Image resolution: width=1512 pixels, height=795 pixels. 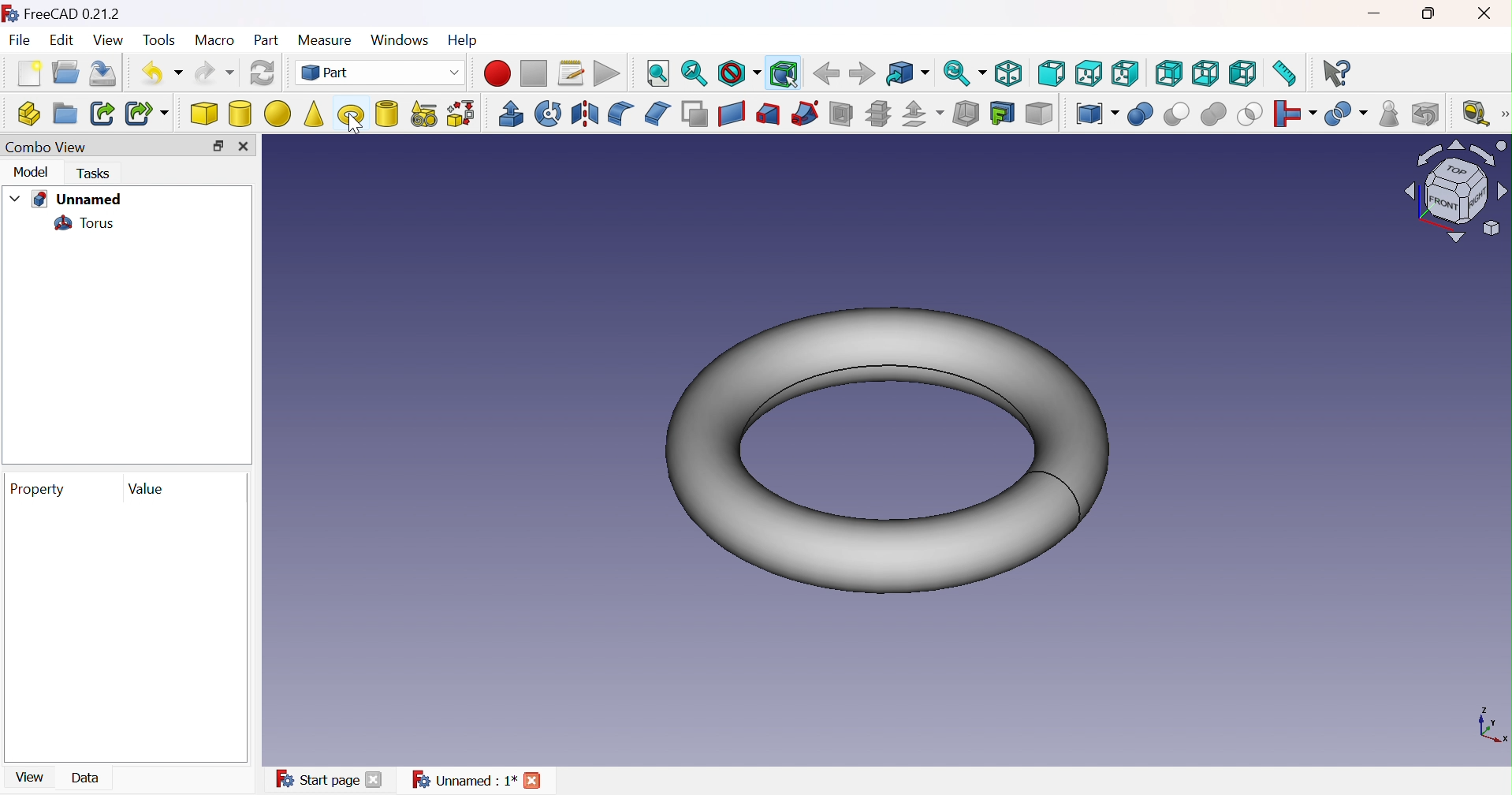 What do you see at coordinates (214, 40) in the screenshot?
I see `Macro` at bounding box center [214, 40].